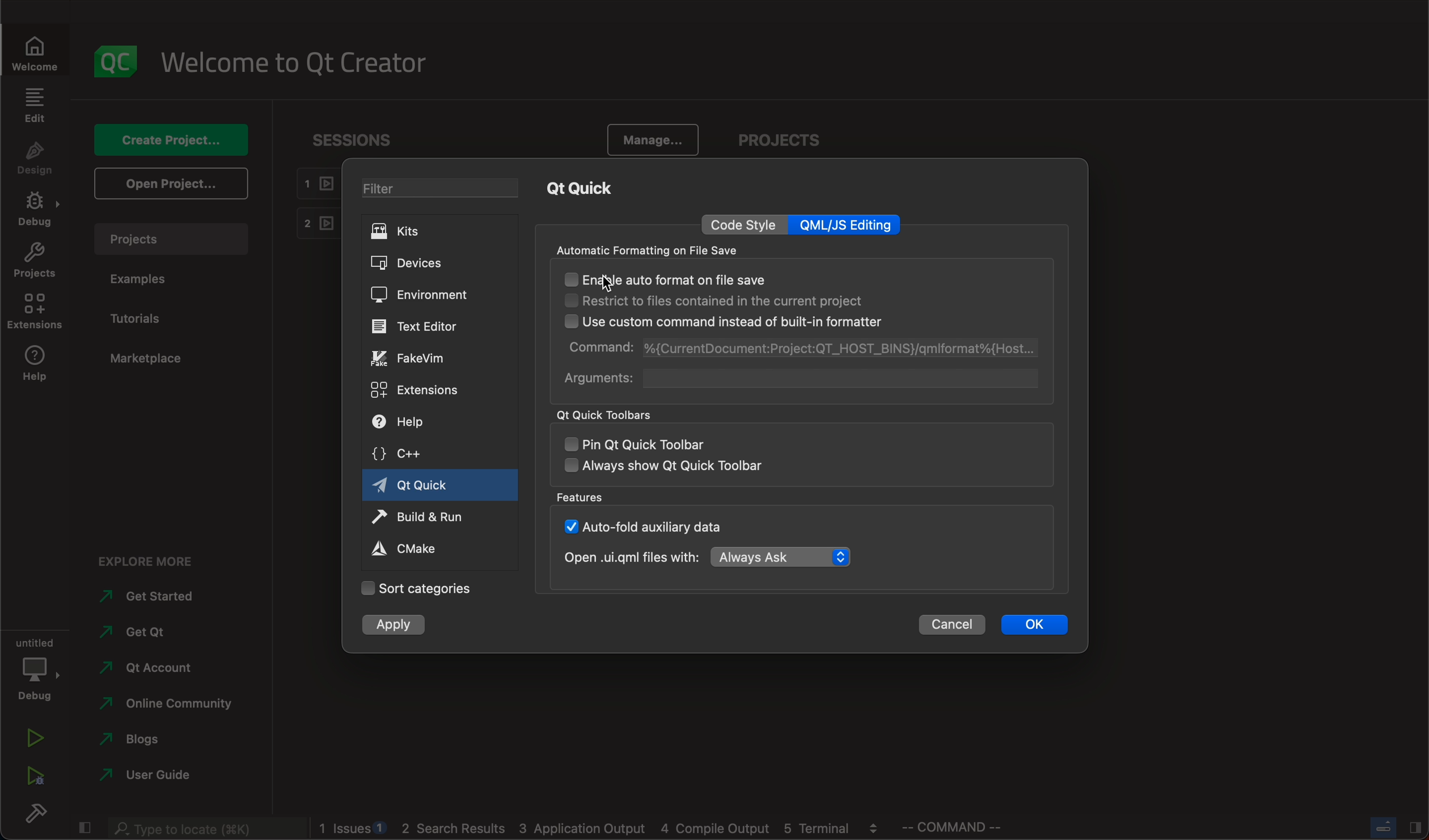  What do you see at coordinates (36, 738) in the screenshot?
I see `run` at bounding box center [36, 738].